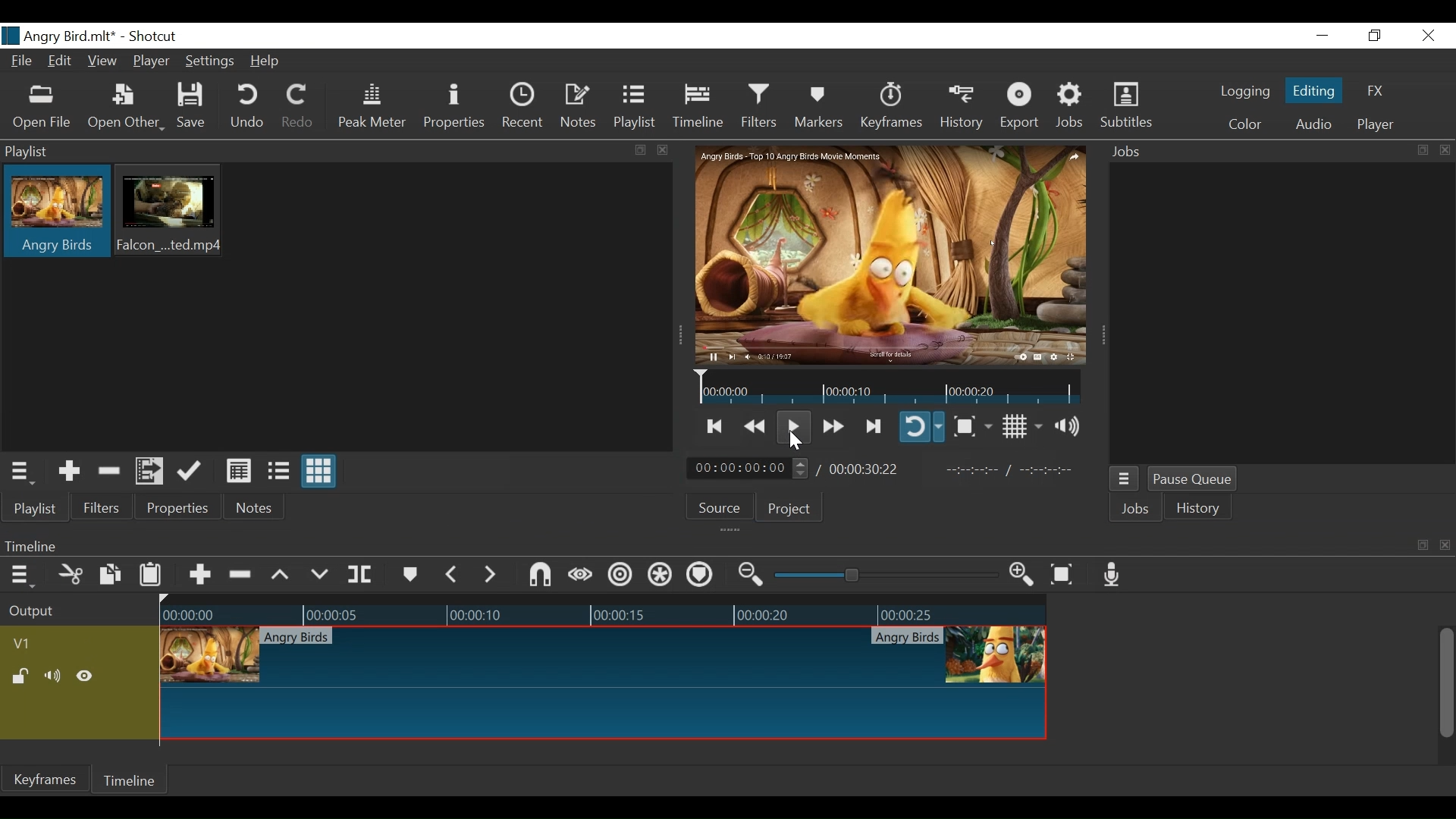 The image size is (1456, 819). I want to click on View as Detail, so click(238, 469).